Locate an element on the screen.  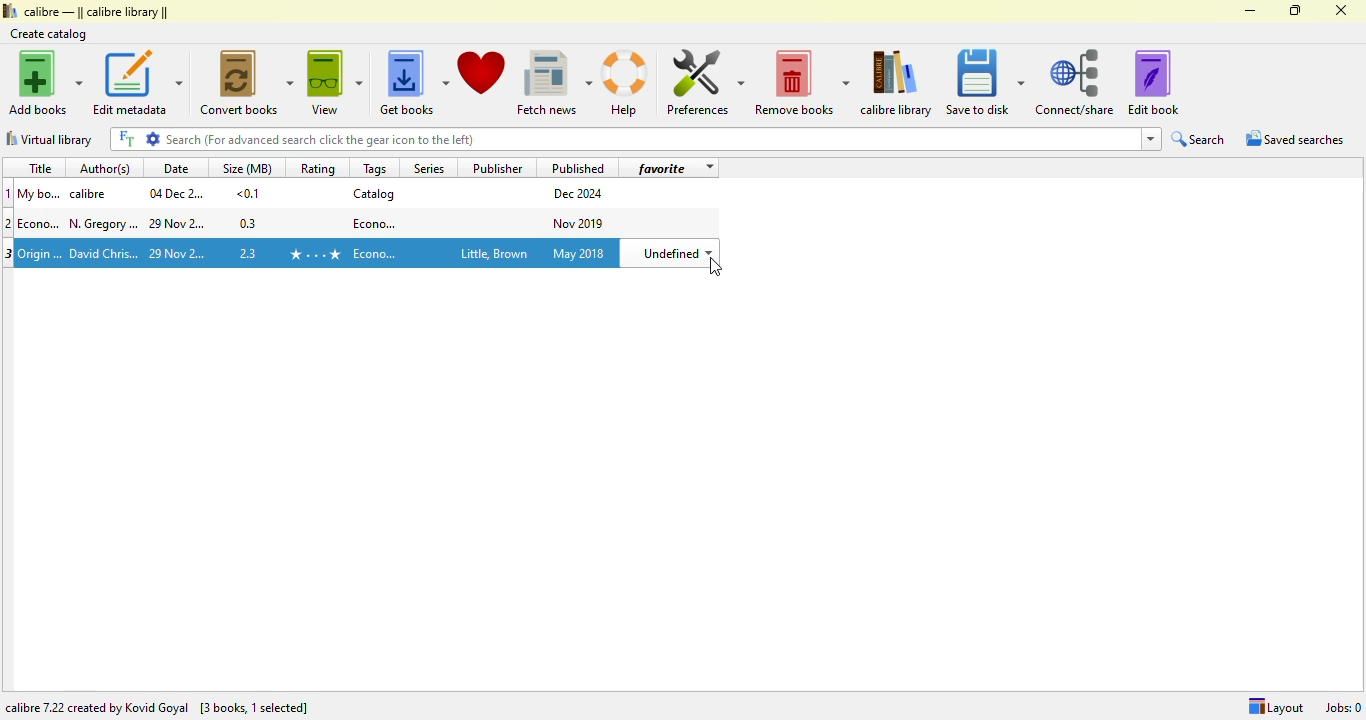
calibre library is located at coordinates (97, 11).